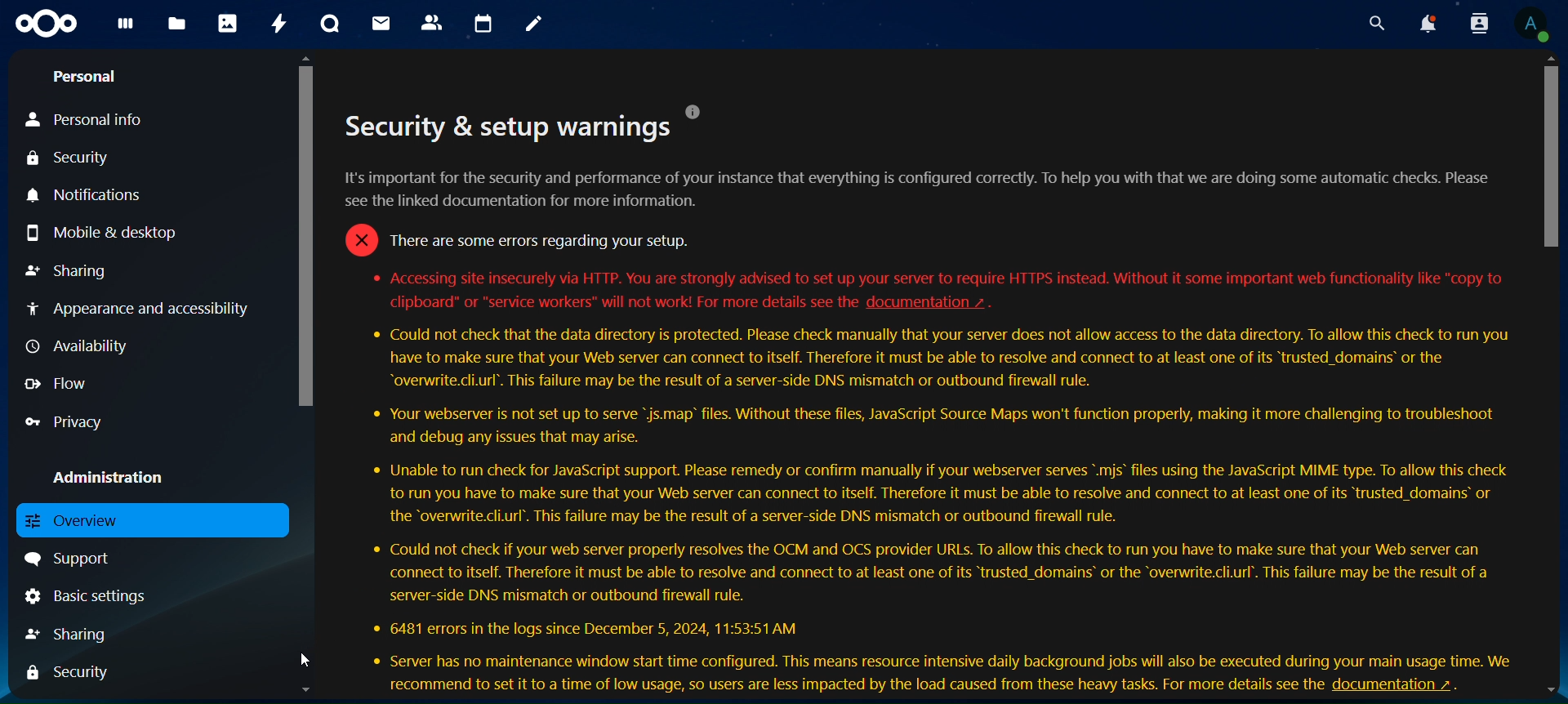 This screenshot has width=1568, height=704. What do you see at coordinates (924, 213) in the screenshot?
I see `text` at bounding box center [924, 213].